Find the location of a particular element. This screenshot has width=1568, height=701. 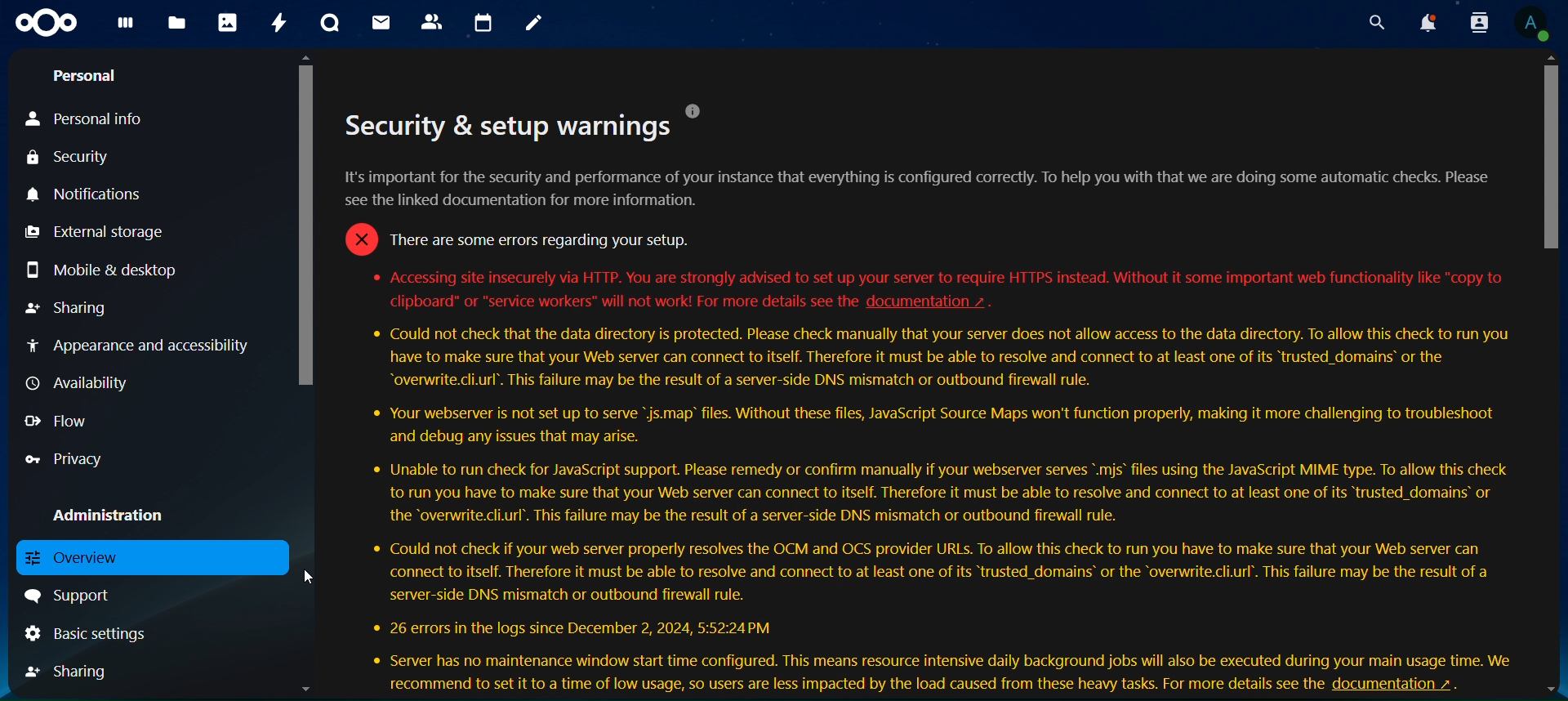

talk is located at coordinates (332, 23).